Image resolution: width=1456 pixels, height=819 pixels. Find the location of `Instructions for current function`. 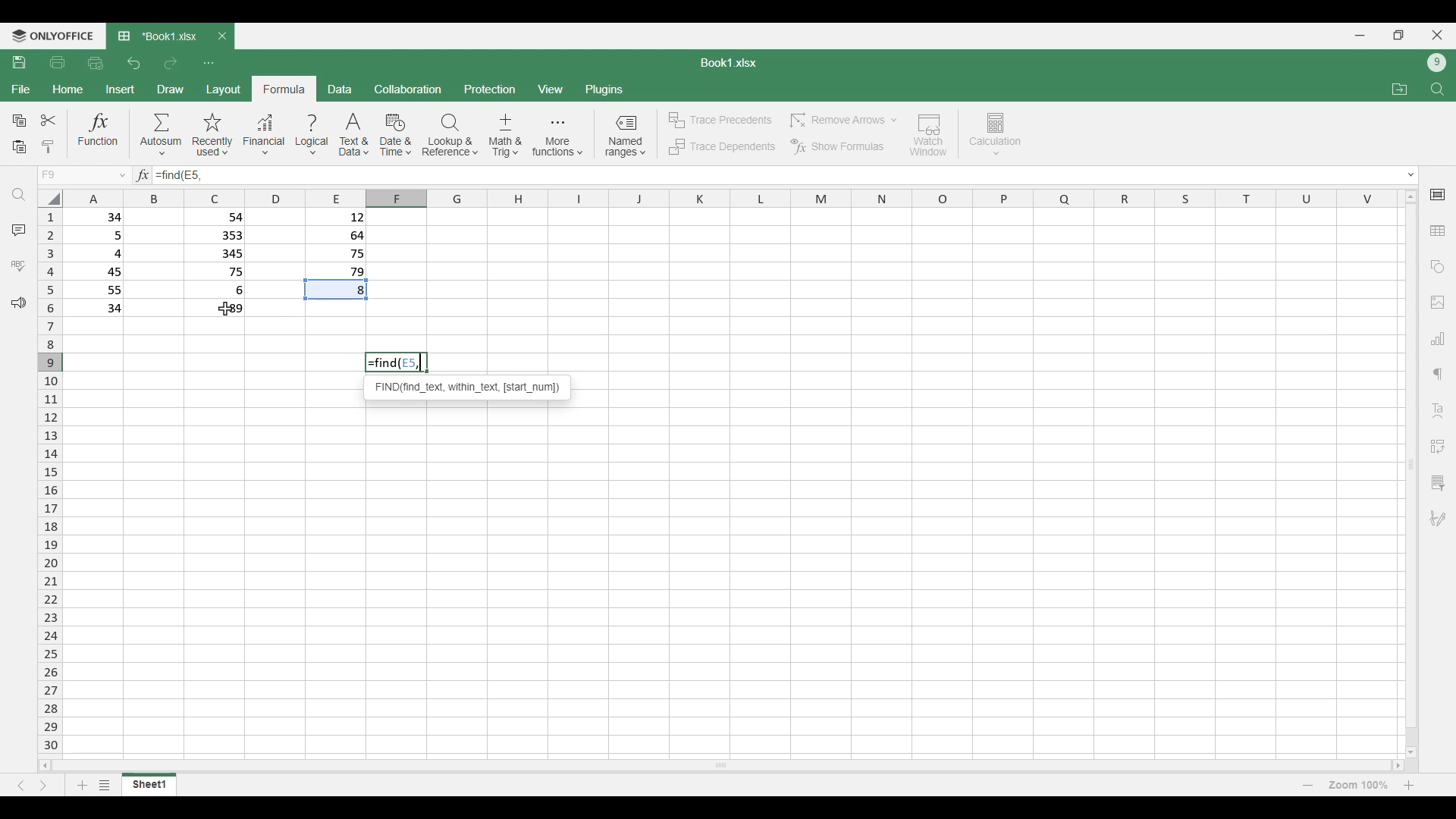

Instructions for current function is located at coordinates (468, 387).